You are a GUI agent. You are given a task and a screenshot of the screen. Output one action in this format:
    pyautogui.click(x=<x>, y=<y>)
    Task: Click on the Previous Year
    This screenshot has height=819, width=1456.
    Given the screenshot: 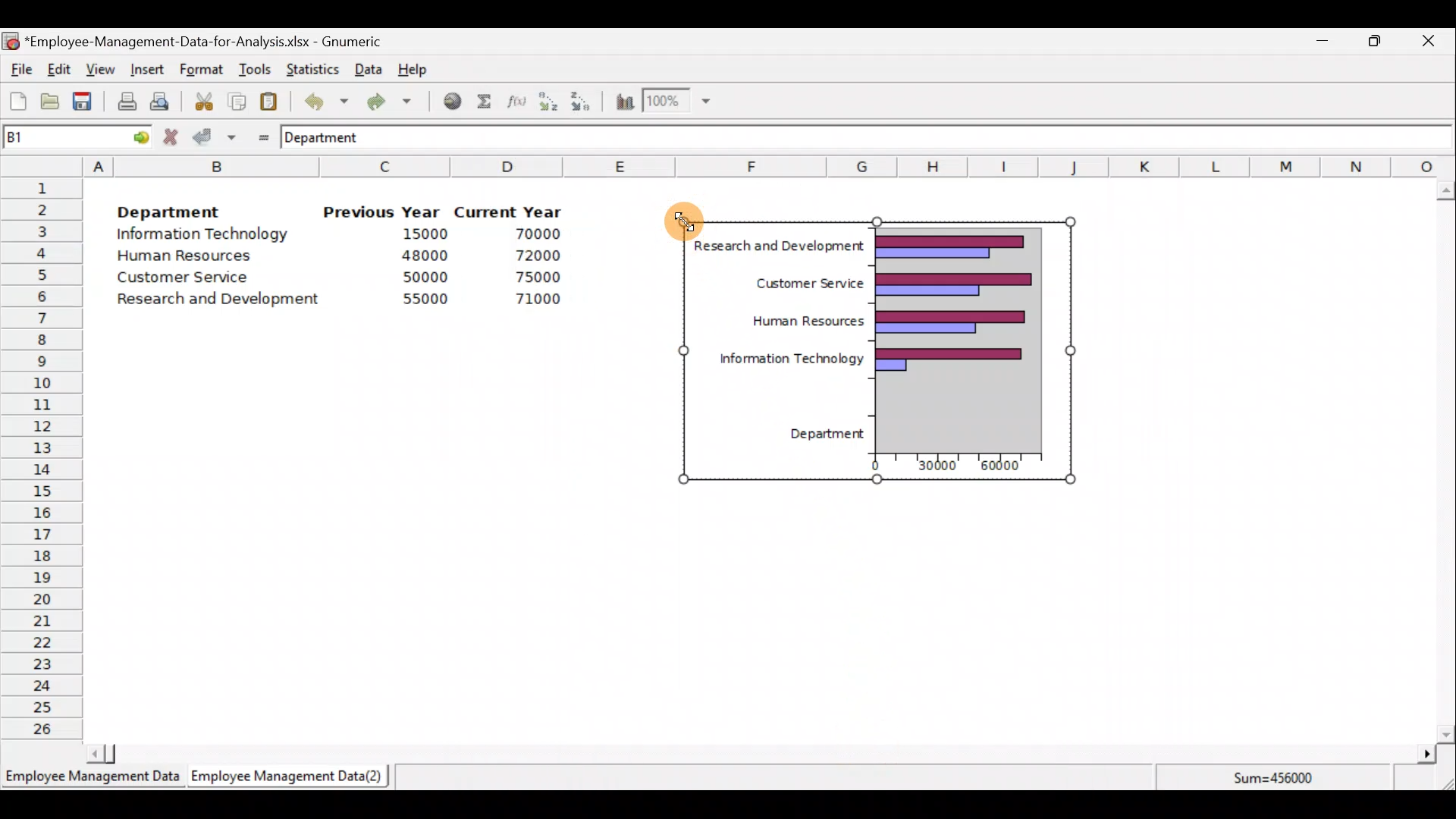 What is the action you would take?
    pyautogui.click(x=382, y=212)
    